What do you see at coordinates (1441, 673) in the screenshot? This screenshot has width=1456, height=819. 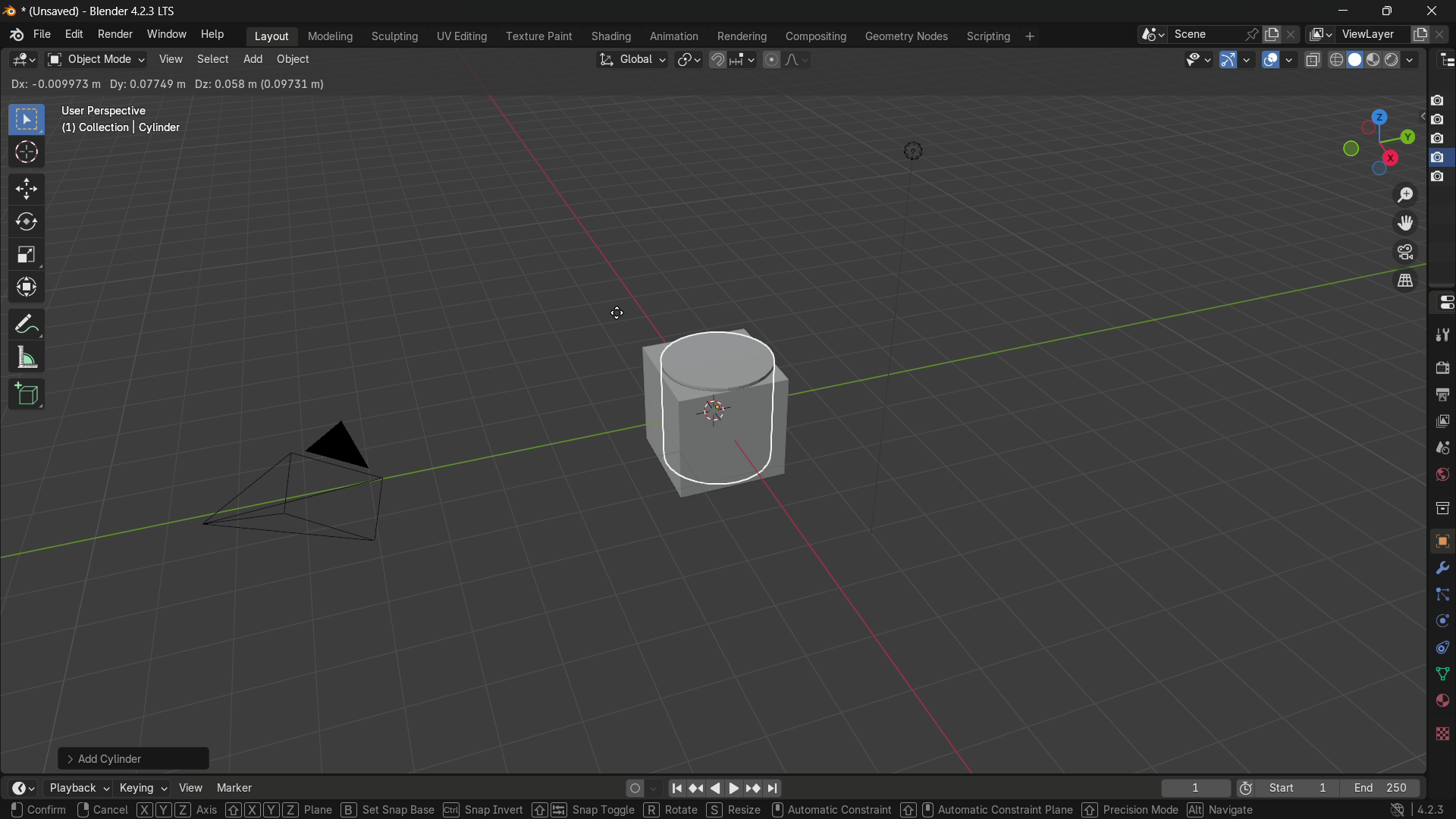 I see `shape` at bounding box center [1441, 673].